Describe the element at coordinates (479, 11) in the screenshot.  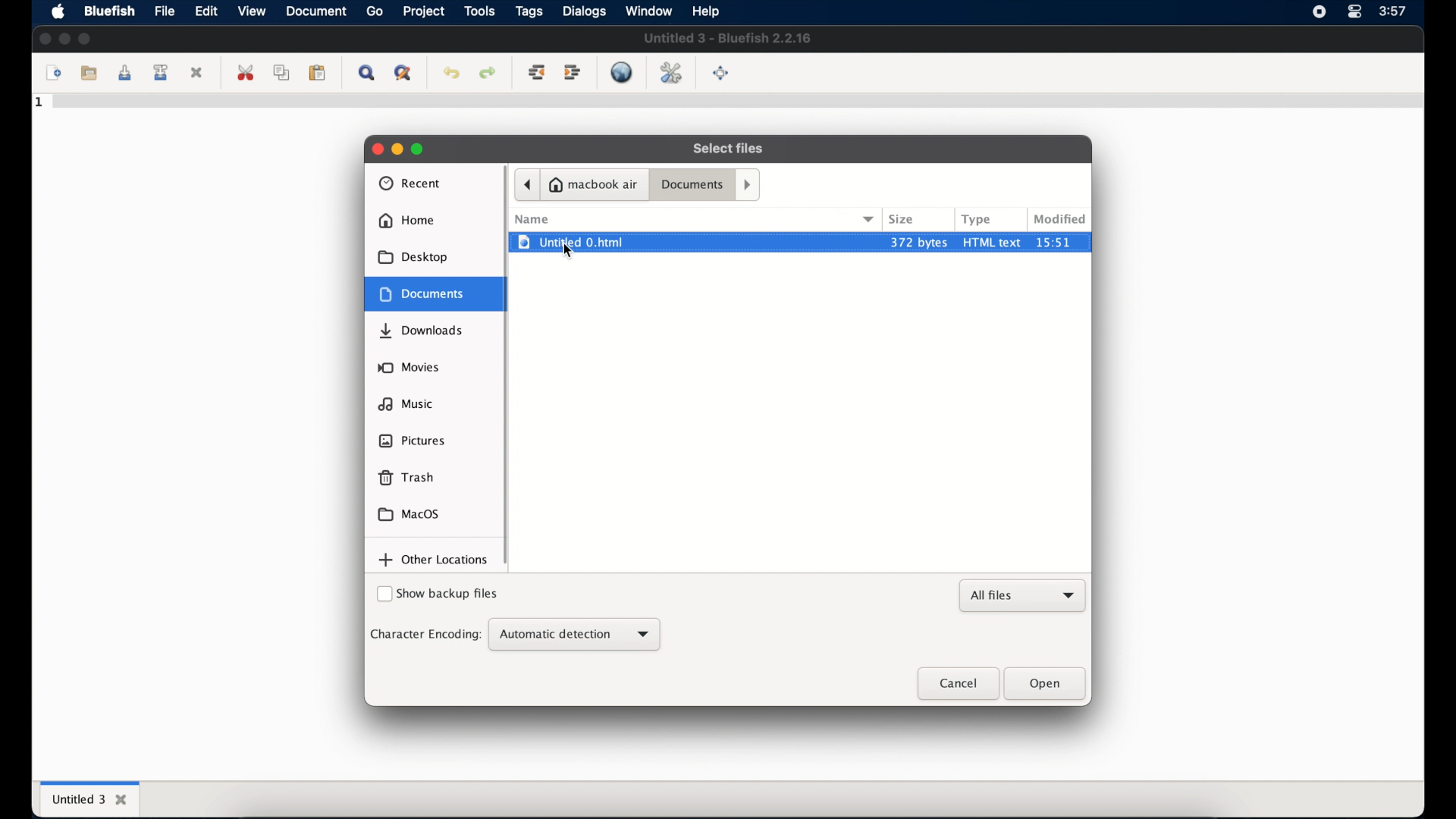
I see `tools` at that location.